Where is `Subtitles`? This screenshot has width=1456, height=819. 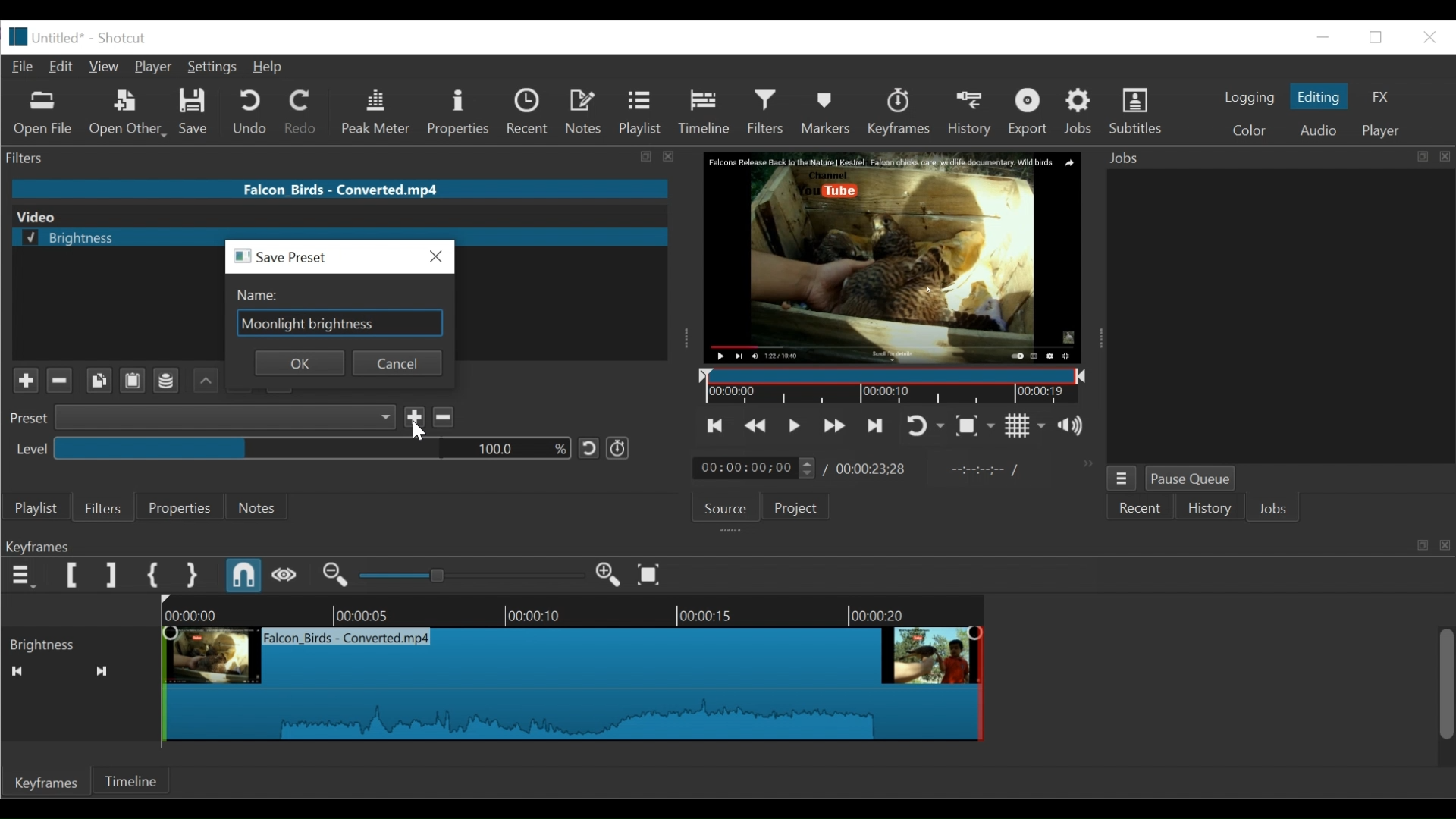
Subtitles is located at coordinates (1136, 111).